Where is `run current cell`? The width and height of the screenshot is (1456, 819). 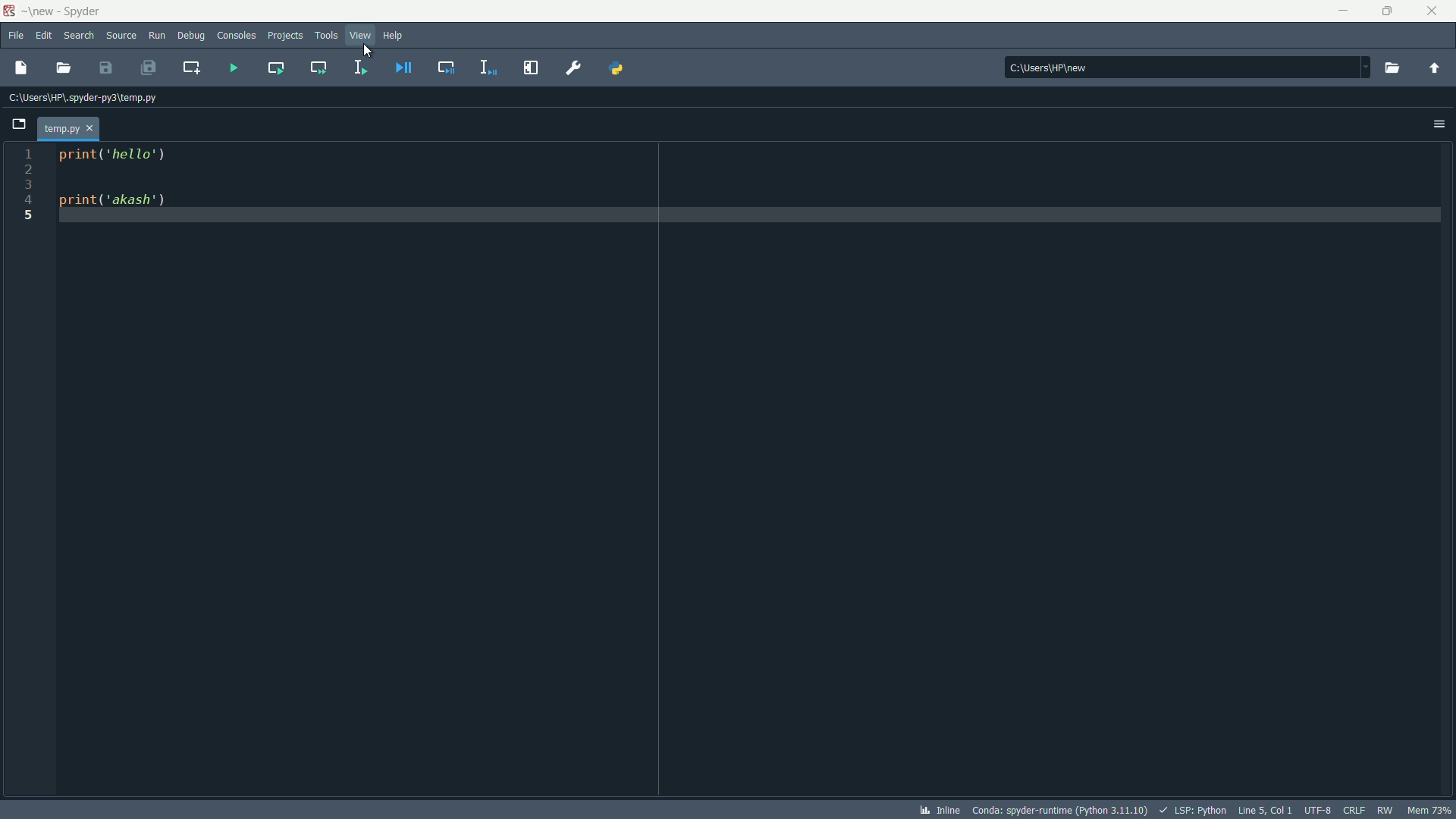 run current cell is located at coordinates (275, 66).